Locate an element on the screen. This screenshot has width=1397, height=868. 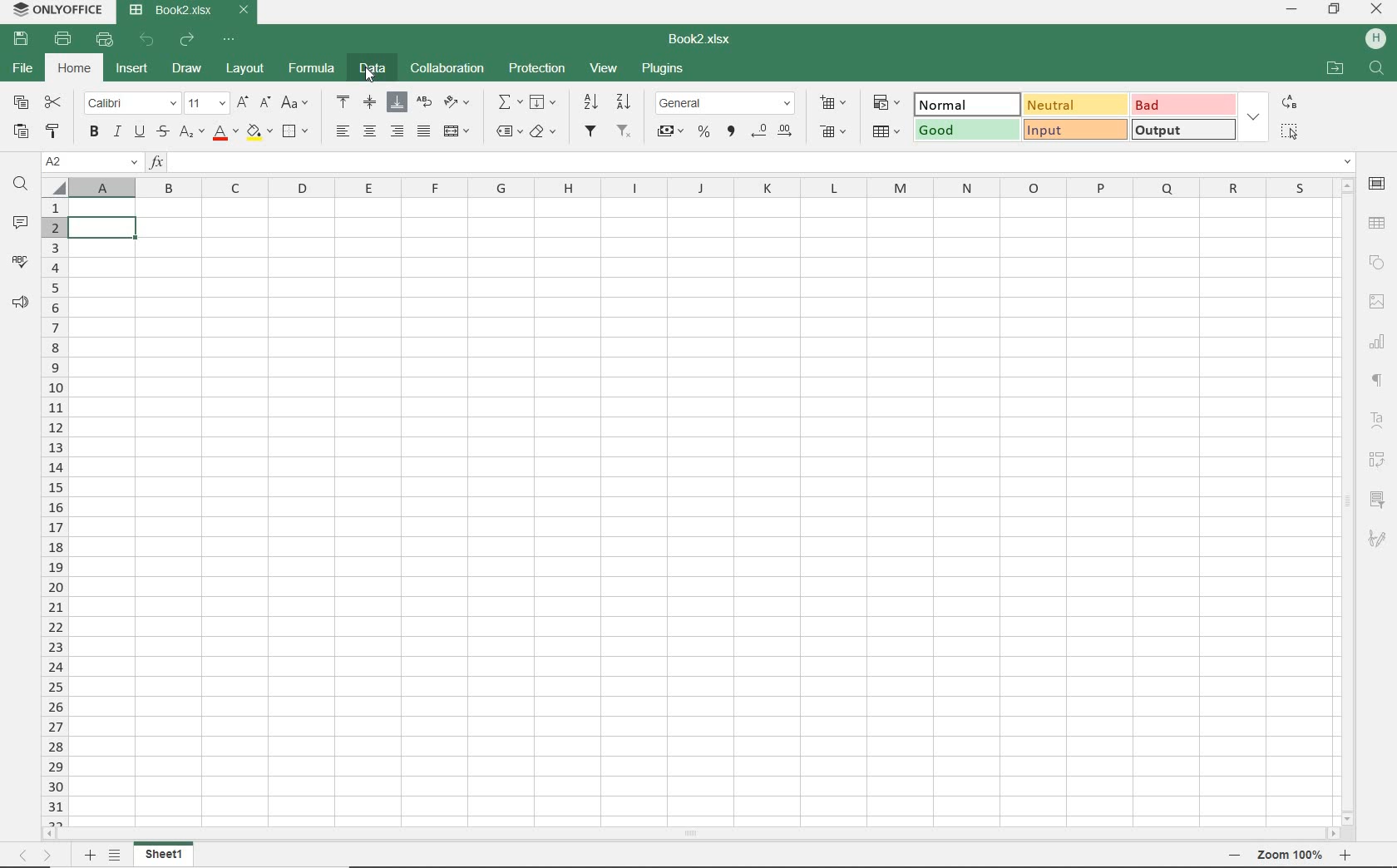
SHAPE is located at coordinates (1377, 264).